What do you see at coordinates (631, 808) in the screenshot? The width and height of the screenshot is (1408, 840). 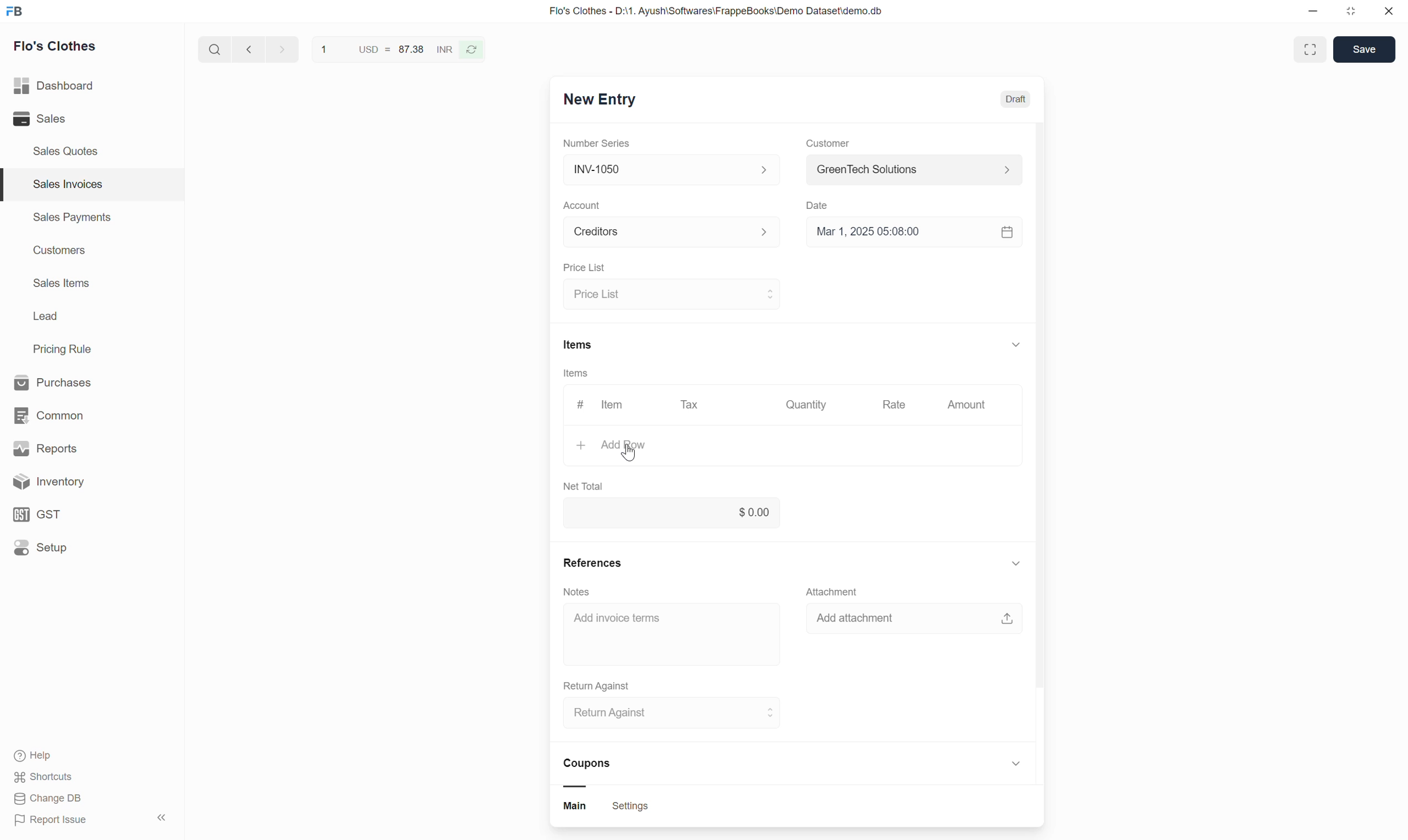 I see `settings` at bounding box center [631, 808].